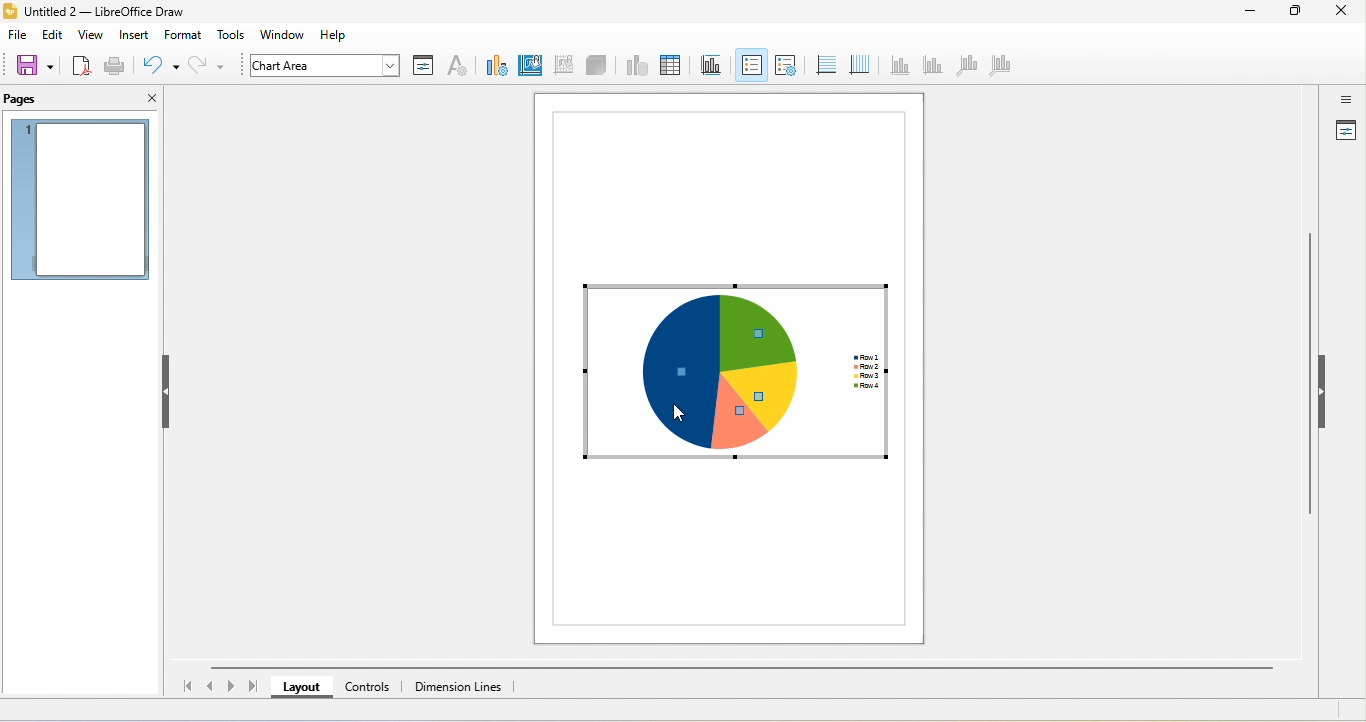  Describe the element at coordinates (683, 403) in the screenshot. I see `cursor movement` at that location.